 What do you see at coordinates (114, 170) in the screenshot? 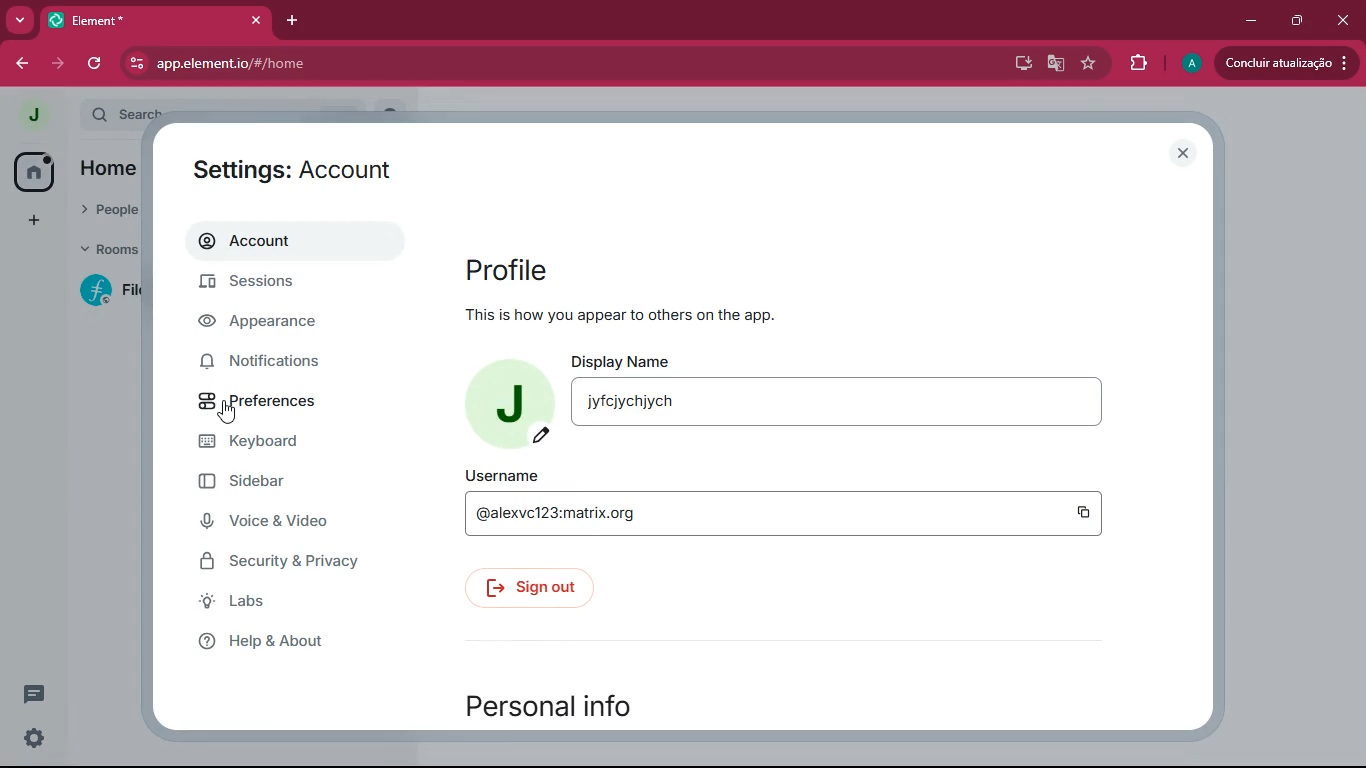
I see `home` at bounding box center [114, 170].